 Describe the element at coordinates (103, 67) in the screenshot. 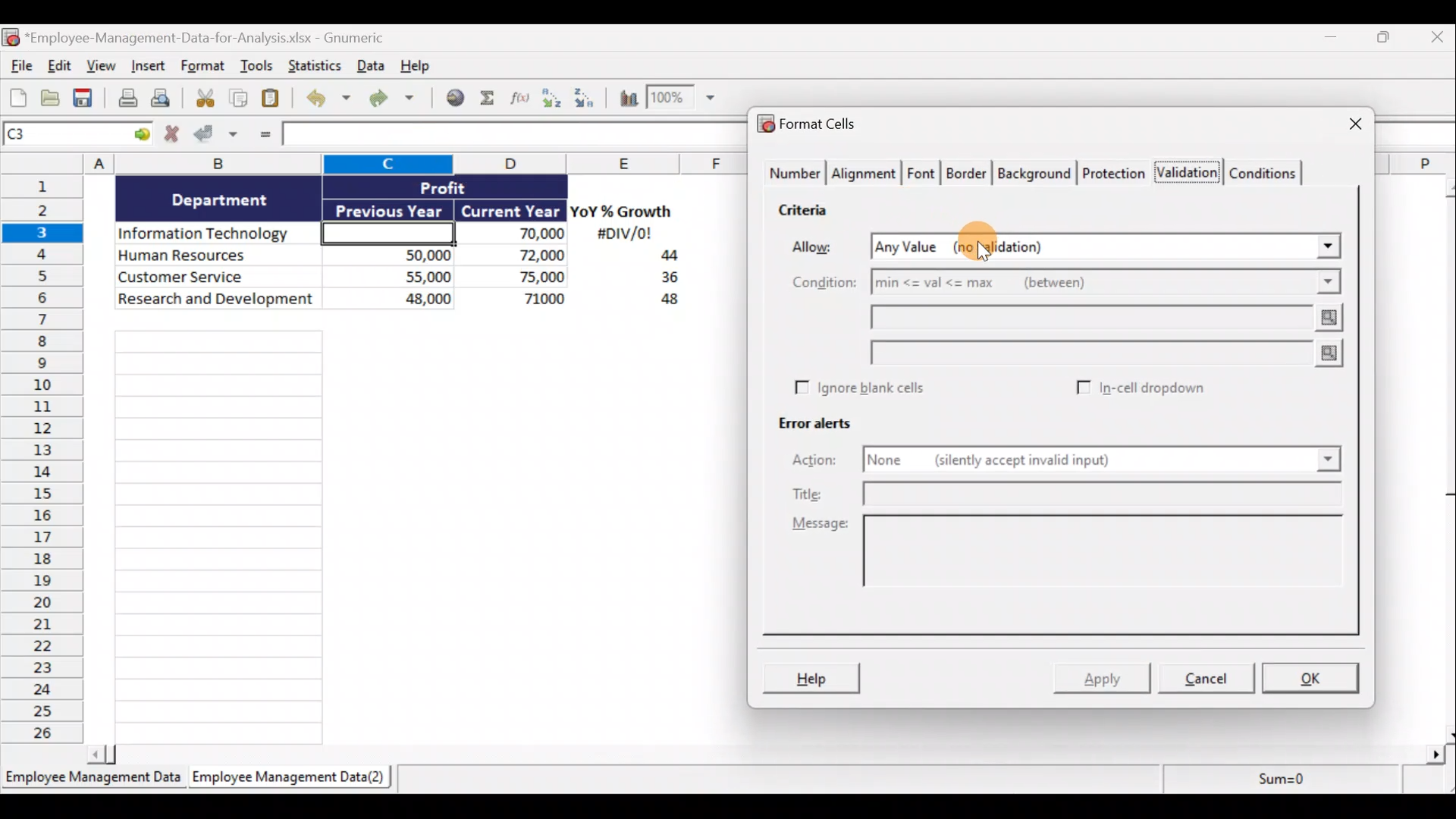

I see `View` at that location.